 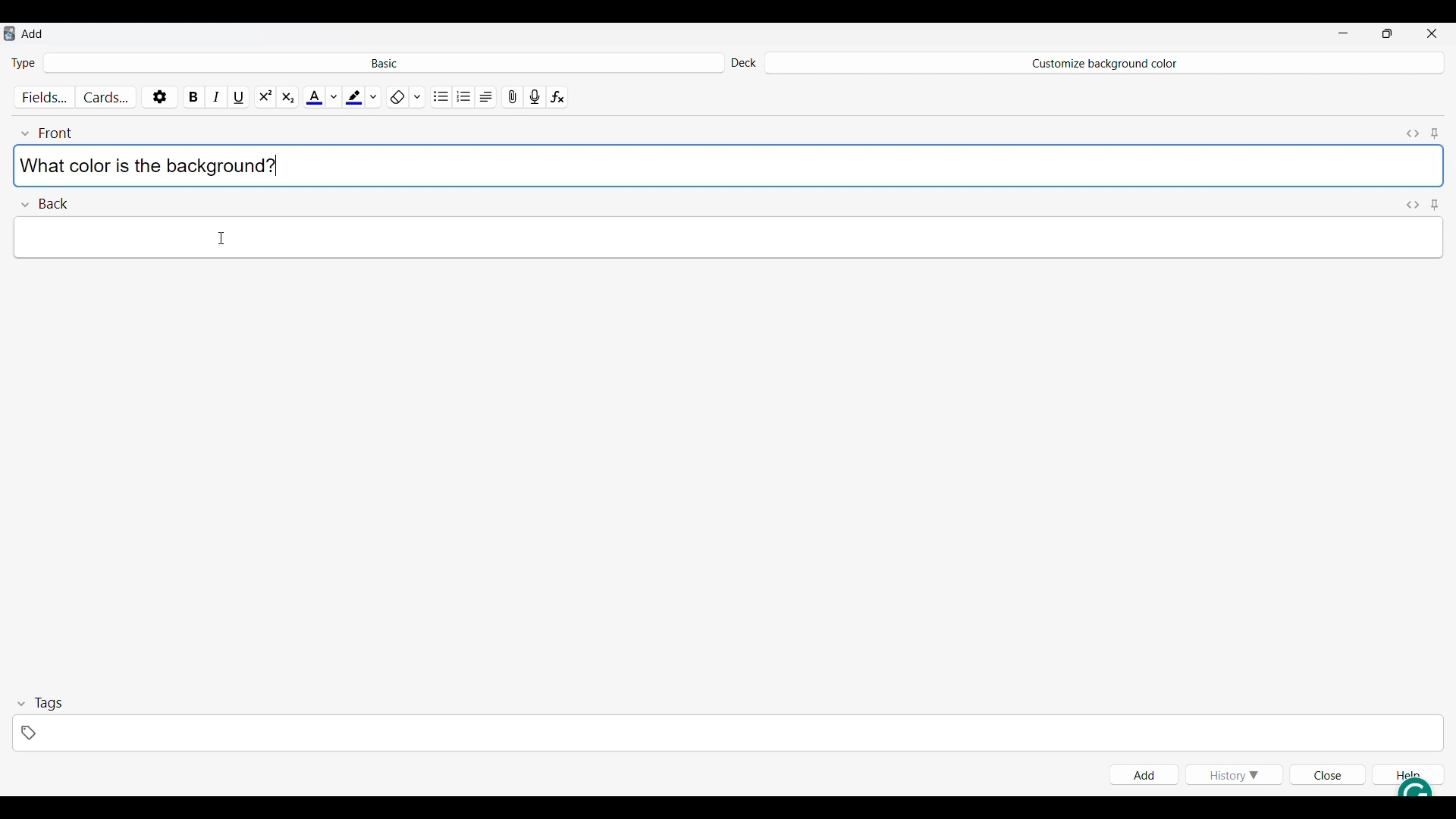 What do you see at coordinates (1434, 203) in the screenshot?
I see `Toggle sticky` at bounding box center [1434, 203].